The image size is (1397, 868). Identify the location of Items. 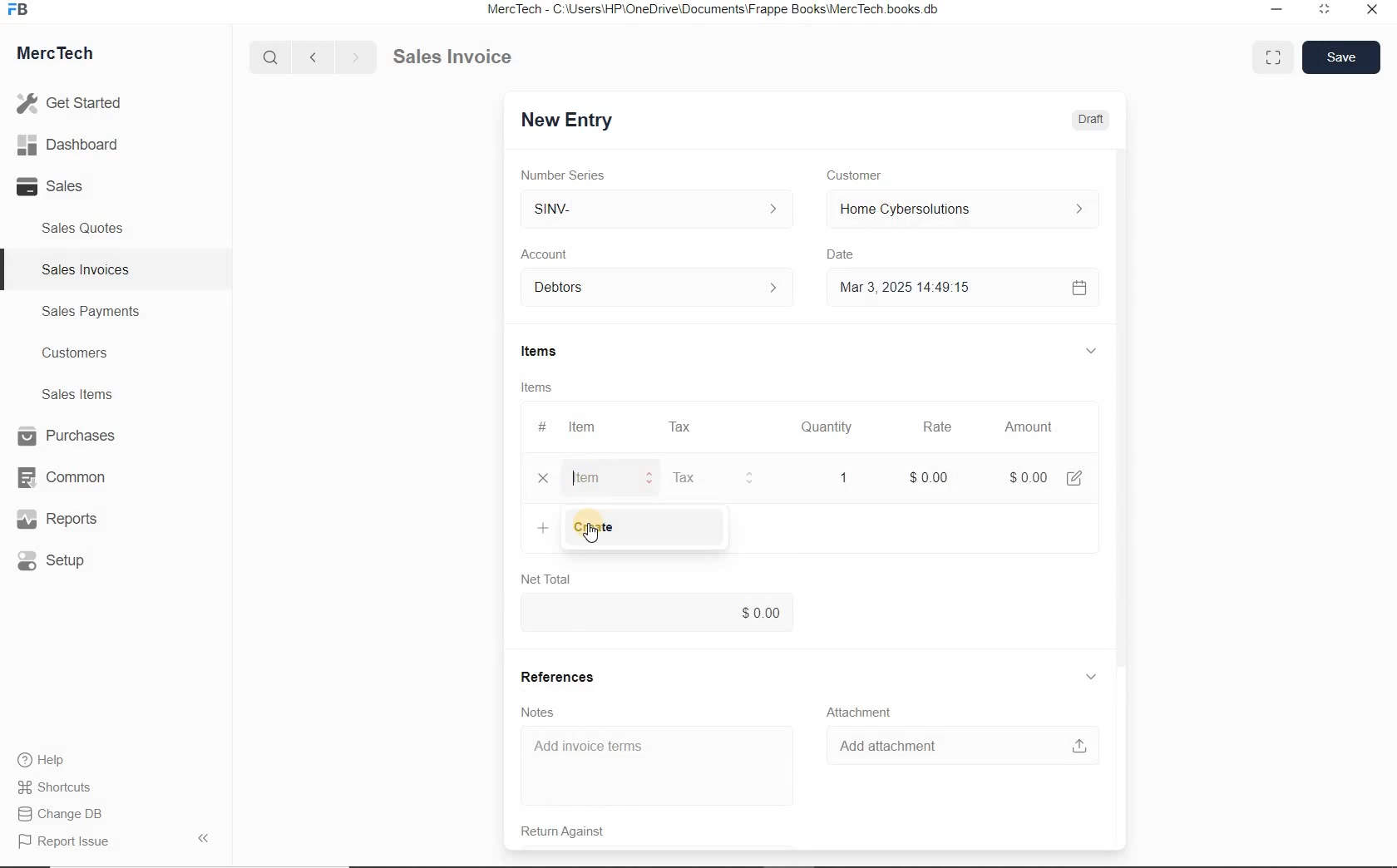
(548, 353).